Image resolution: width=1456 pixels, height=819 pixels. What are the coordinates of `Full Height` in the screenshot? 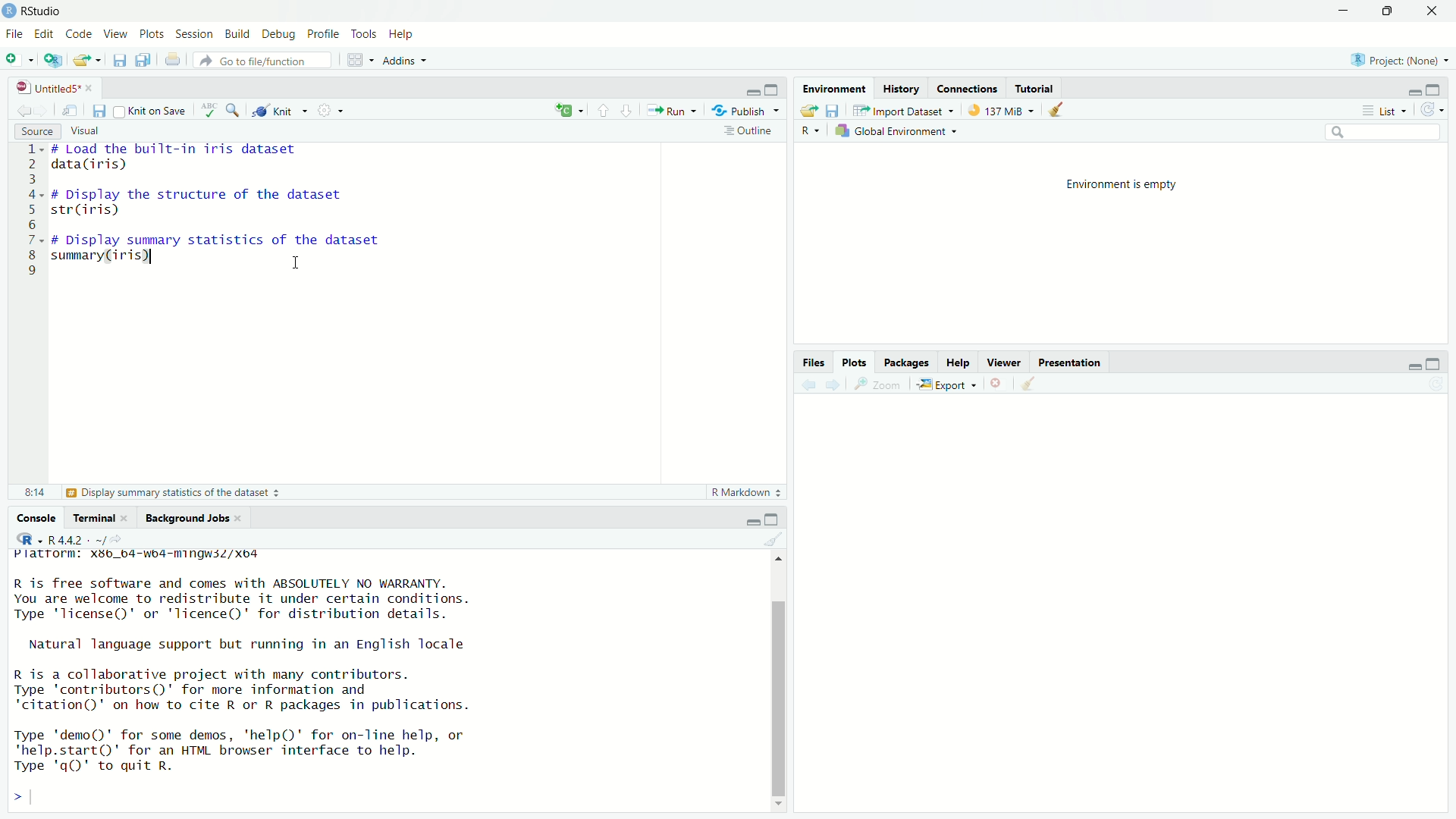 It's located at (1436, 89).